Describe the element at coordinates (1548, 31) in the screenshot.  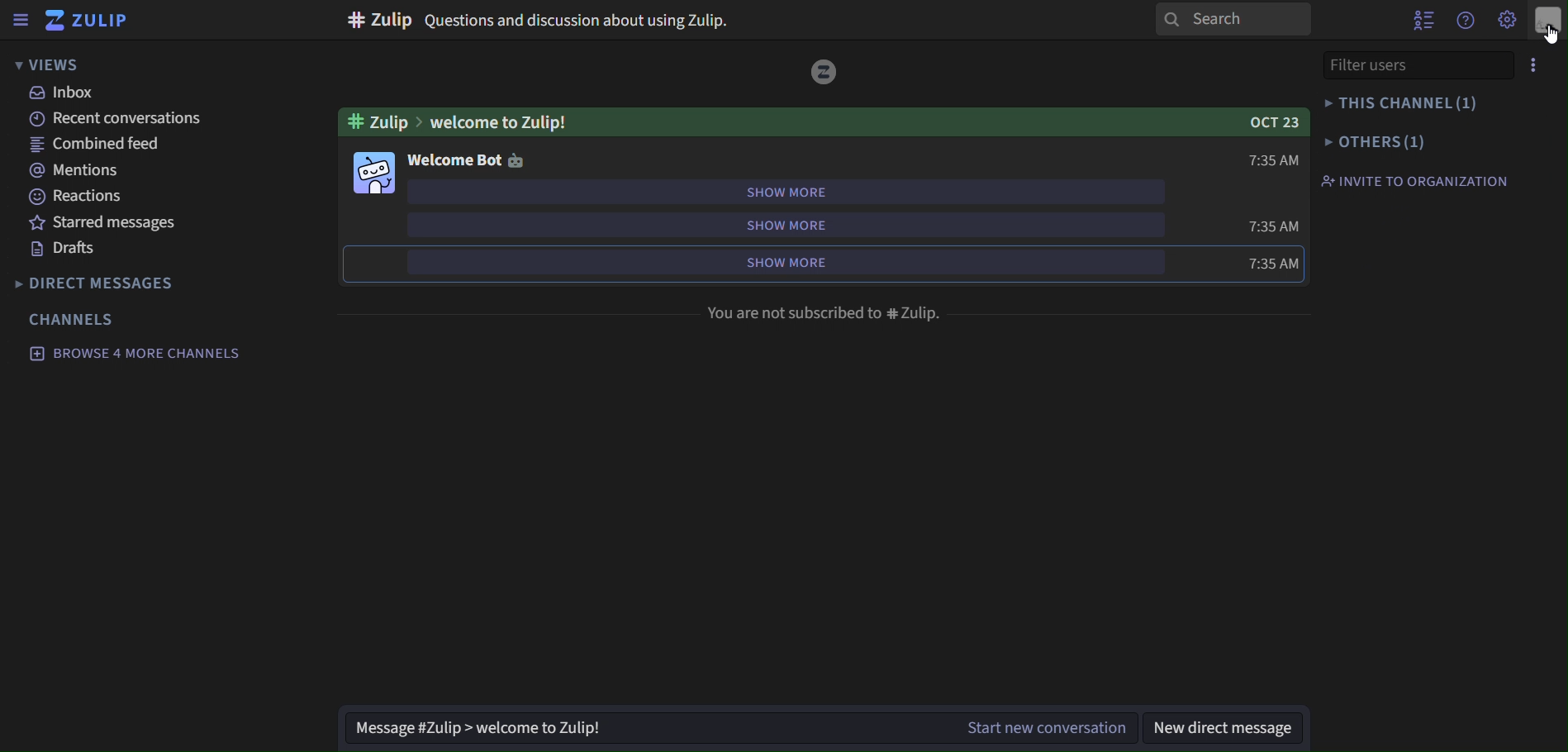
I see `cursor` at that location.